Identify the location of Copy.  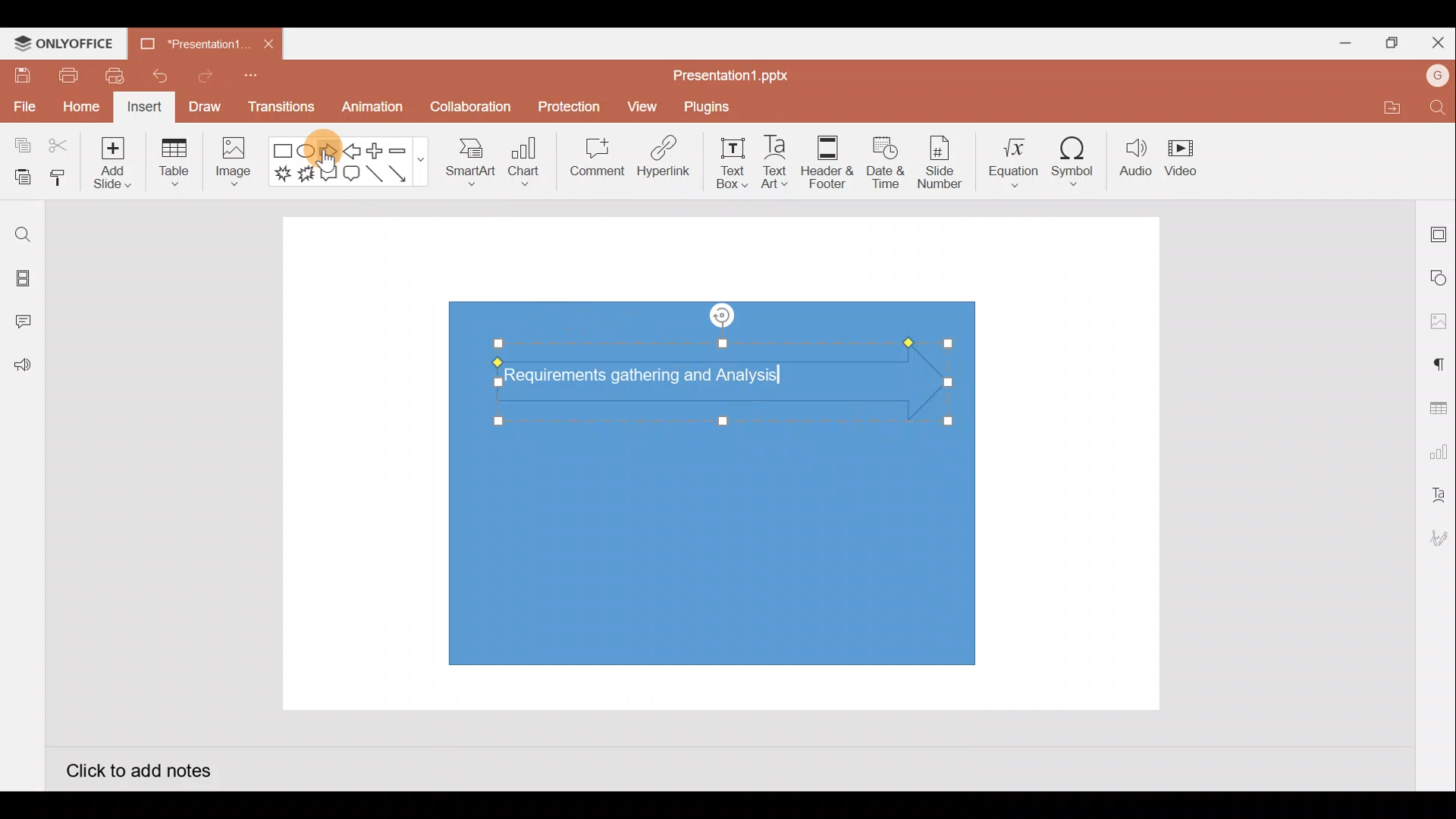
(20, 146).